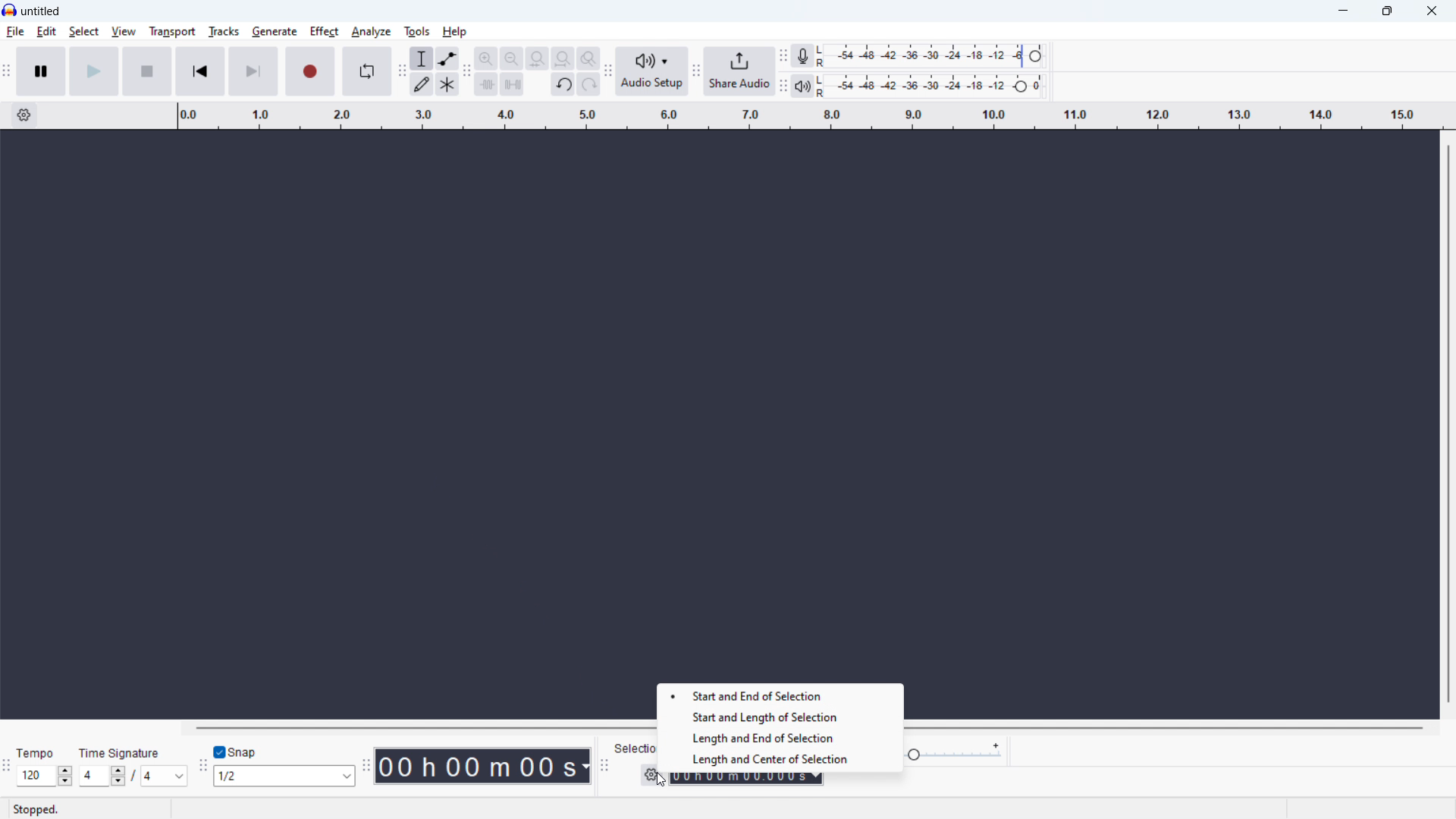 The width and height of the screenshot is (1456, 819). Describe the element at coordinates (747, 738) in the screenshot. I see `length and end of selection` at that location.